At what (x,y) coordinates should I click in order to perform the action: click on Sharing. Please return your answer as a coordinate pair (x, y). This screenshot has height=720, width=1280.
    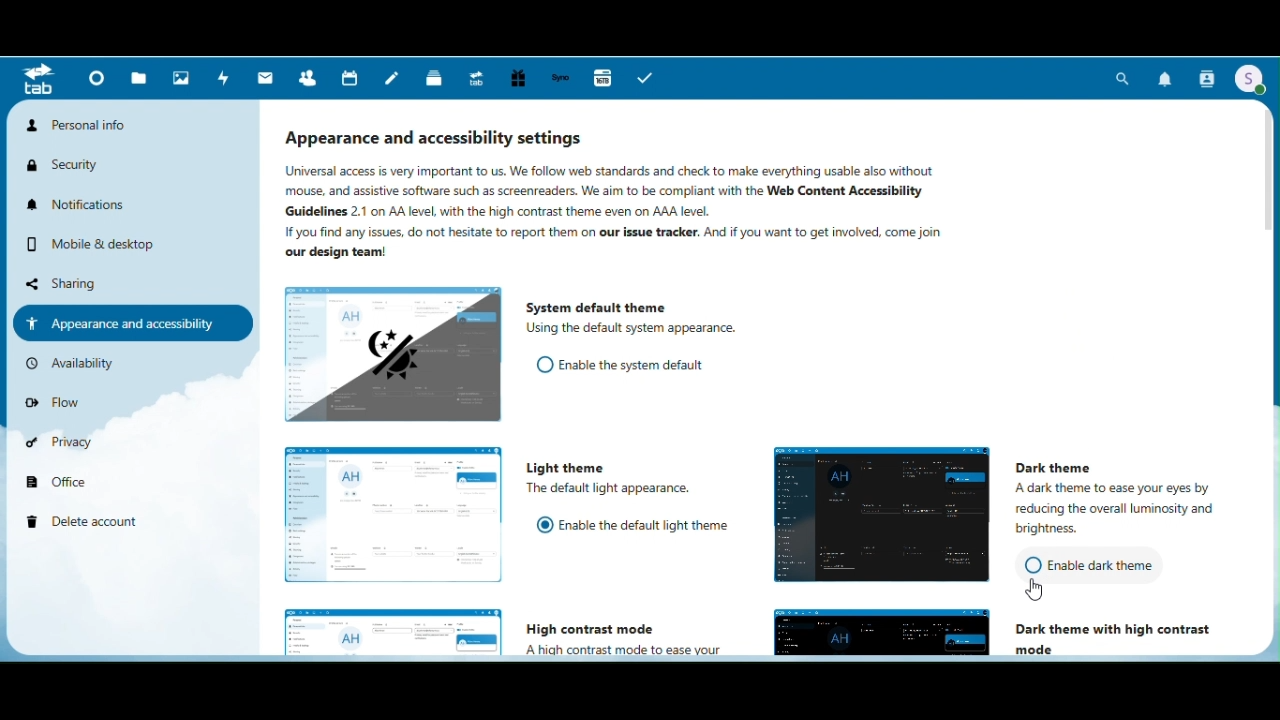
    Looking at the image, I should click on (74, 283).